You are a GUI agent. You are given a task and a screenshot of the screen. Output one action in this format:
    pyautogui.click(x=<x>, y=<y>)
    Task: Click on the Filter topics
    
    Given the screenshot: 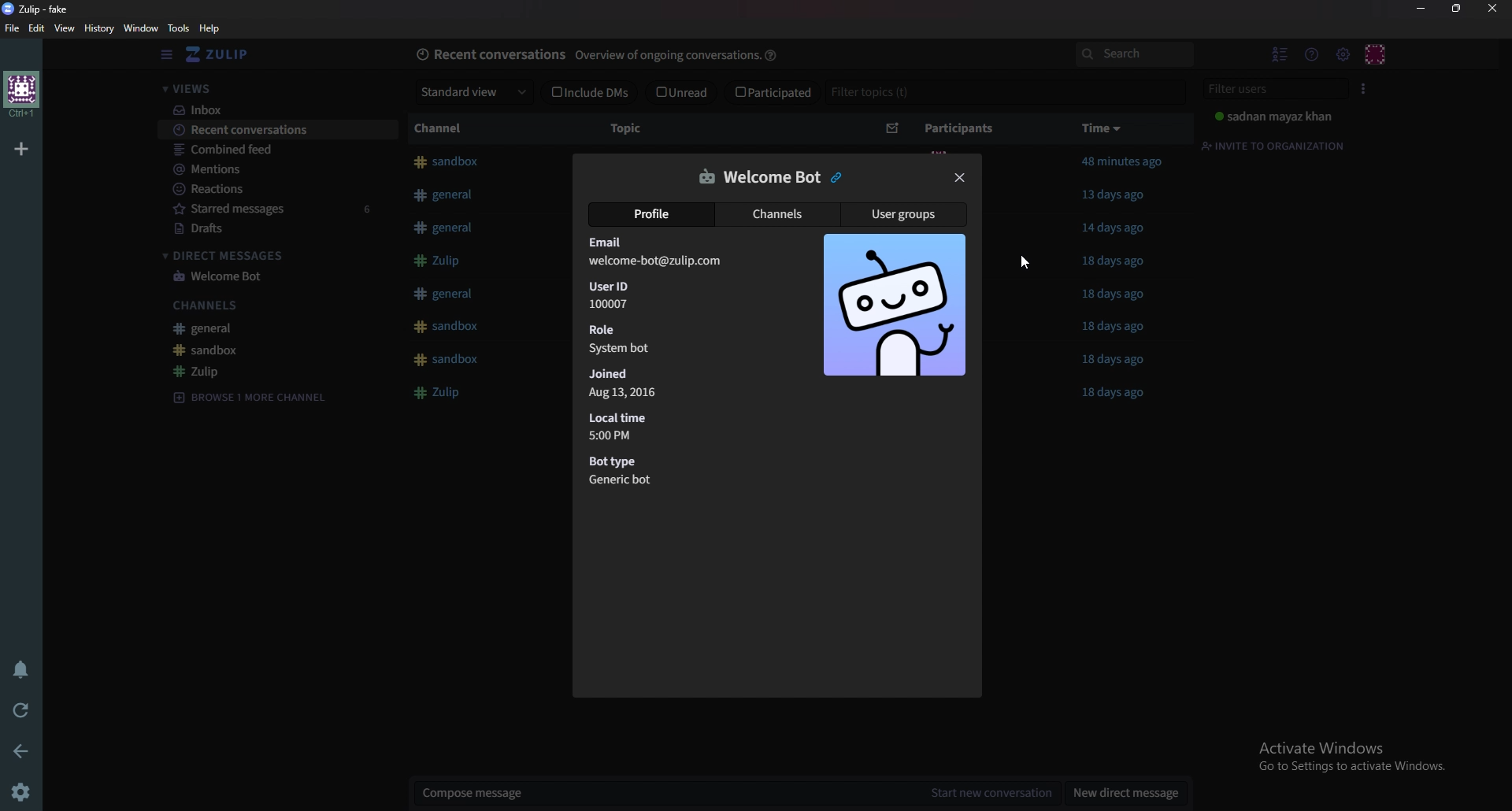 What is the action you would take?
    pyautogui.click(x=884, y=93)
    